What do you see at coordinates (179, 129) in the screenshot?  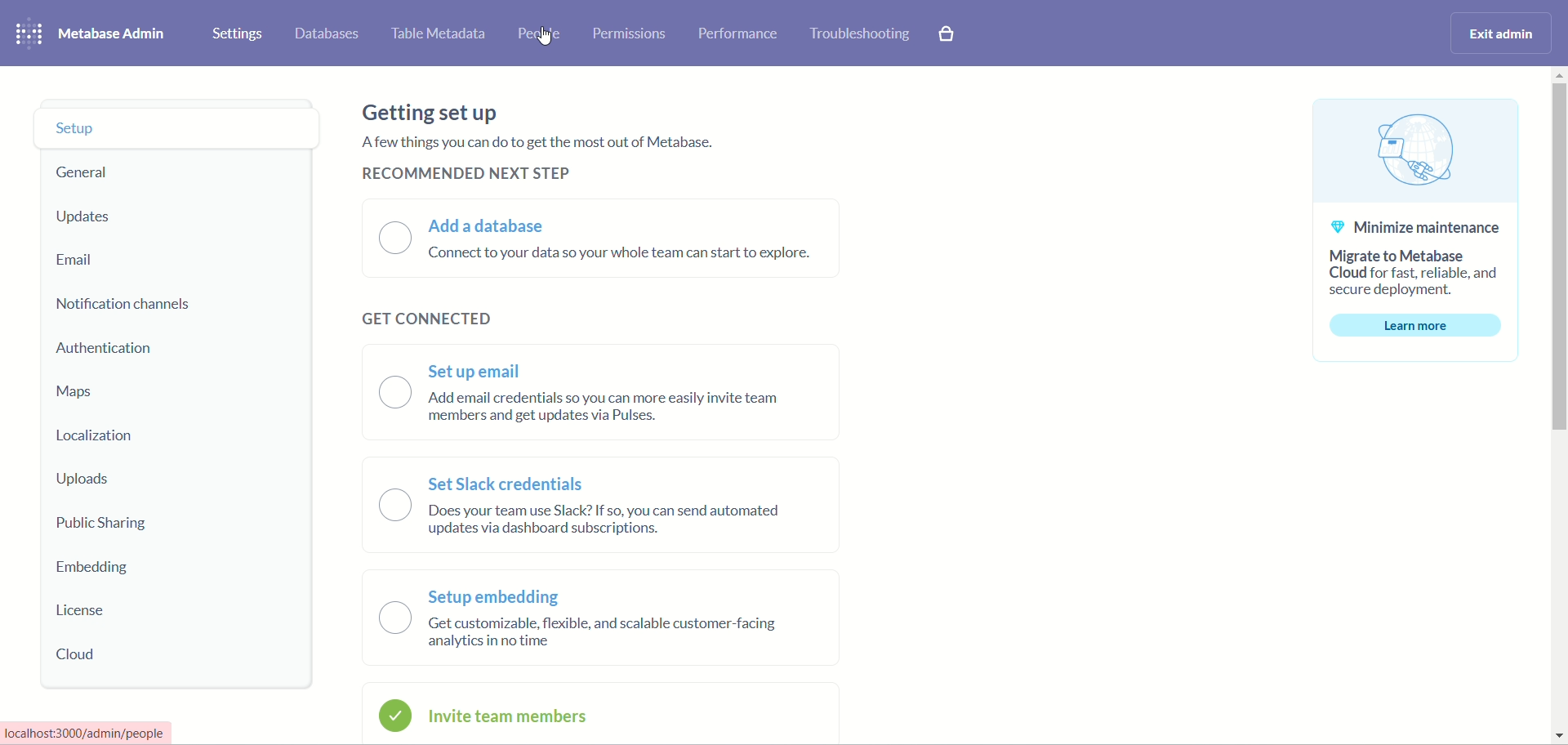 I see `setup` at bounding box center [179, 129].